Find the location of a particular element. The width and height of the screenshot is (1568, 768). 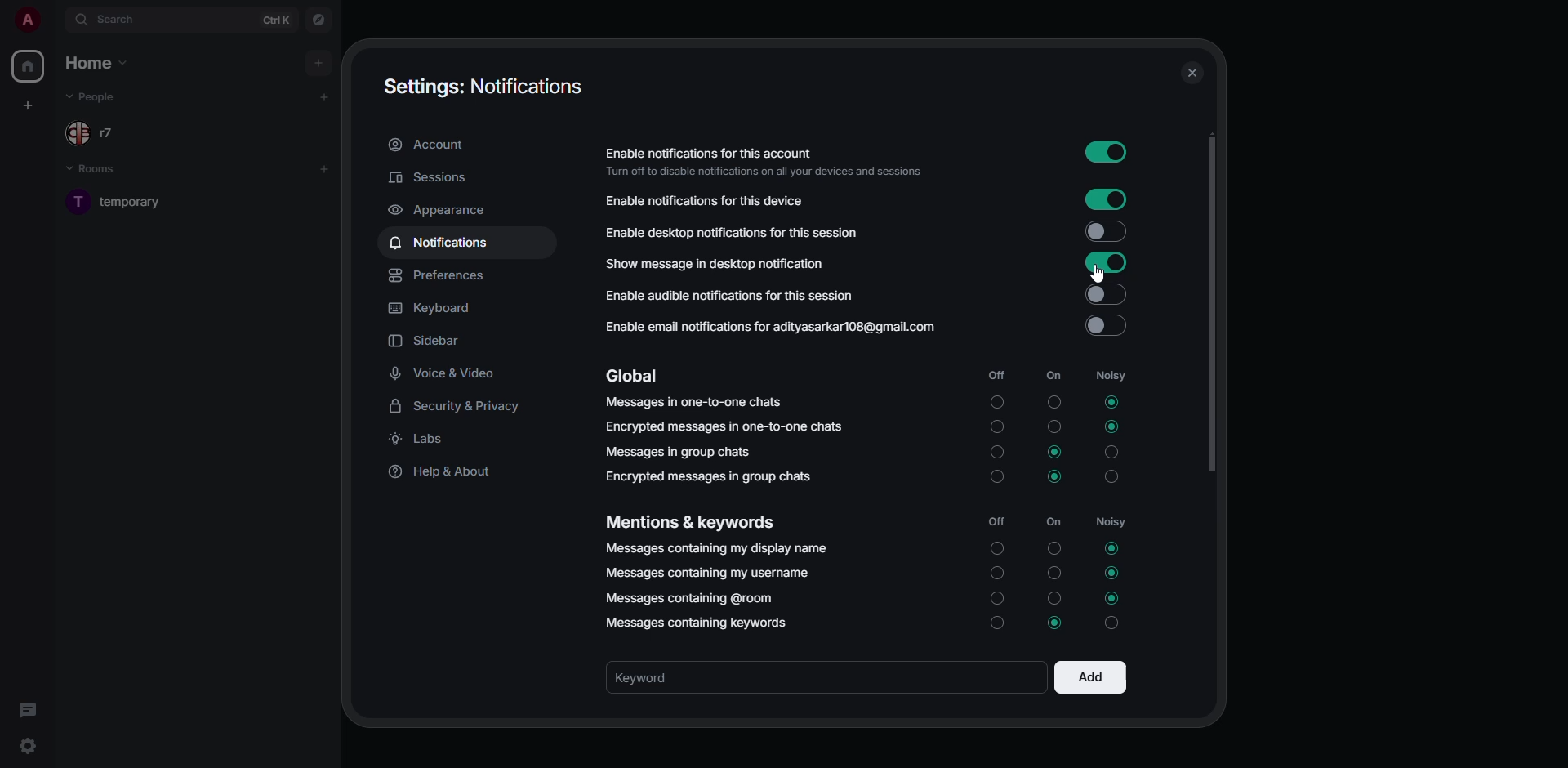

rooms is located at coordinates (101, 171).